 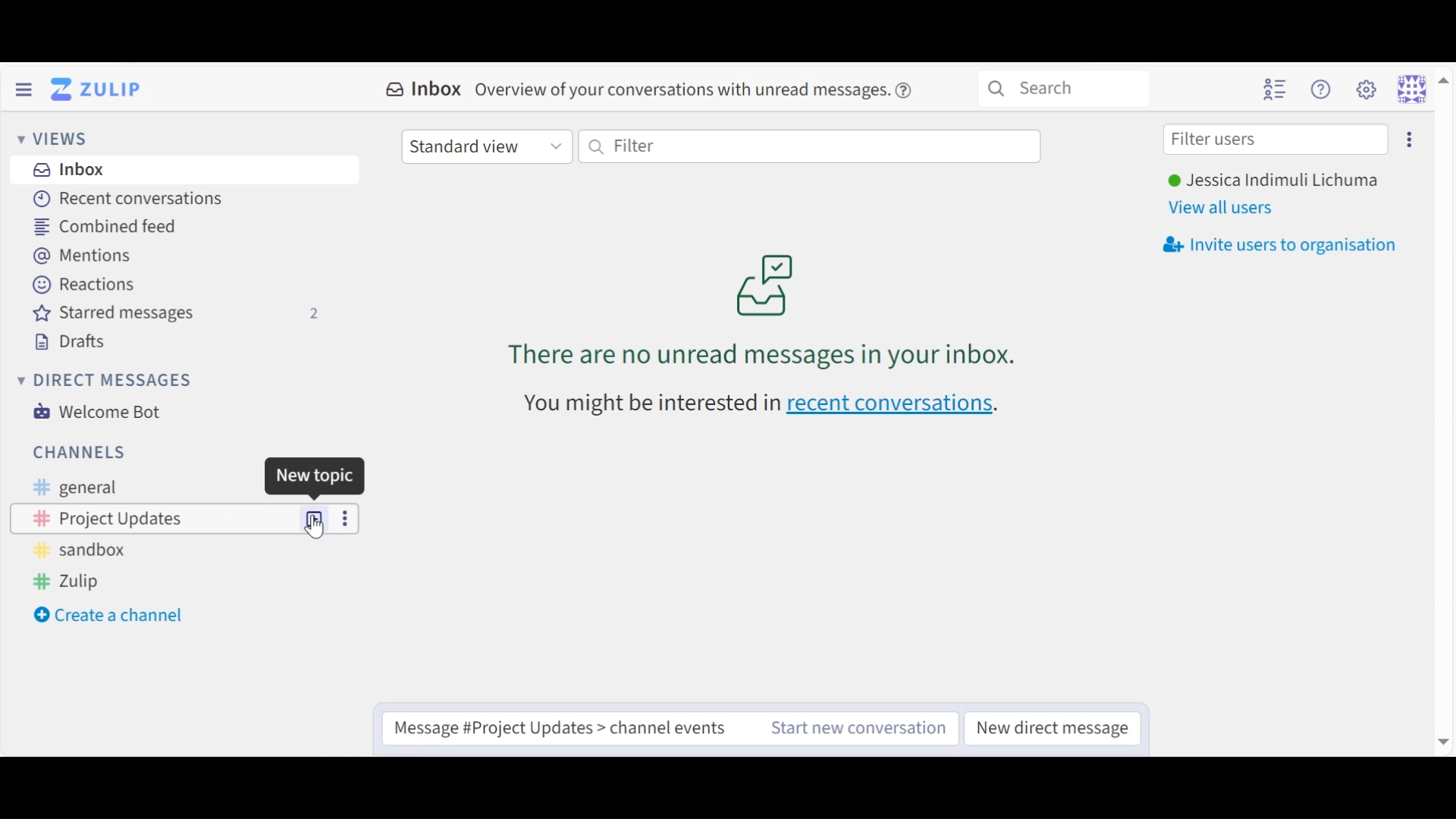 I want to click on help, so click(x=908, y=90).